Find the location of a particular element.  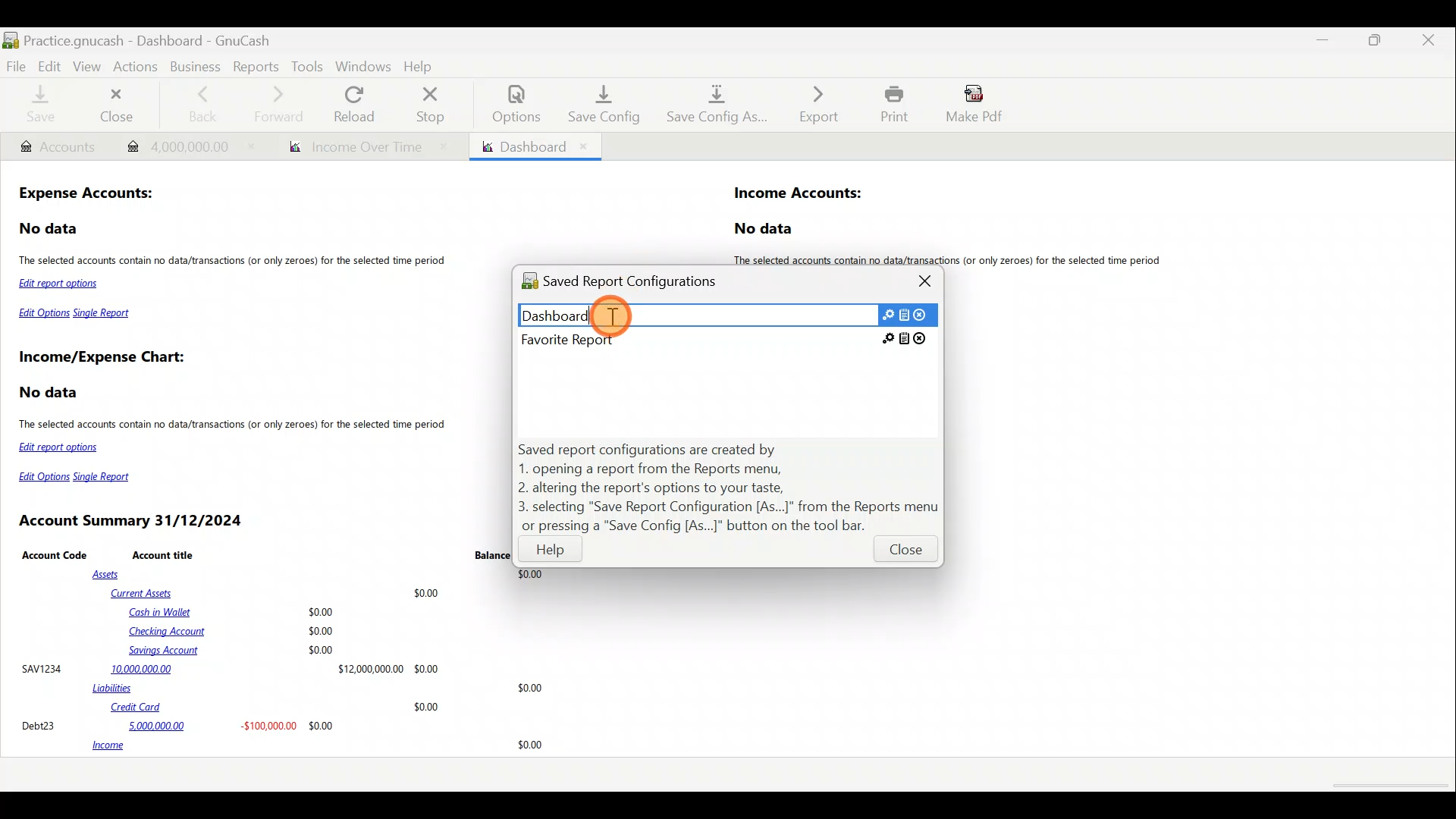

Make pdf is located at coordinates (979, 106).